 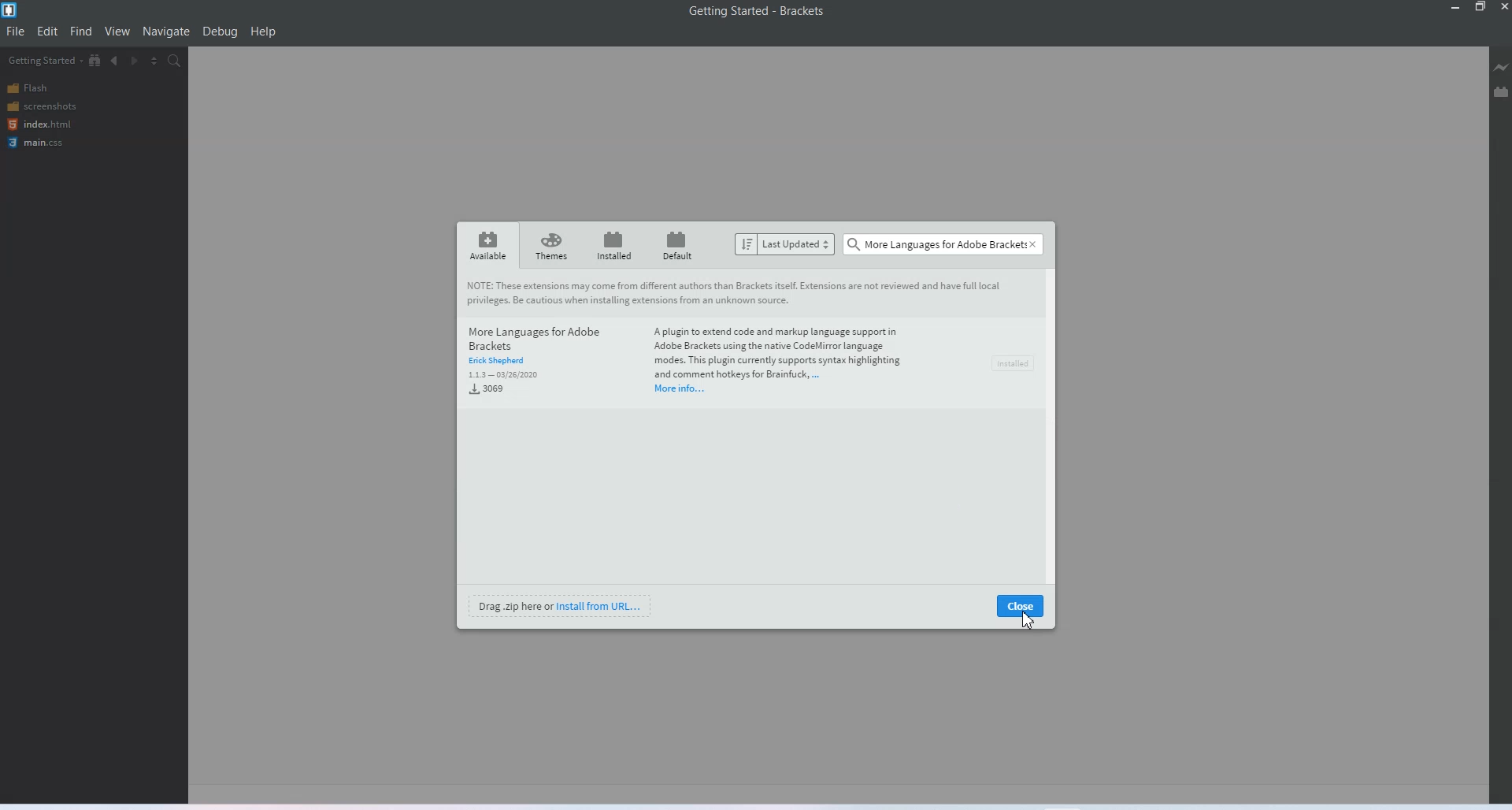 I want to click on Screenshots, so click(x=53, y=107).